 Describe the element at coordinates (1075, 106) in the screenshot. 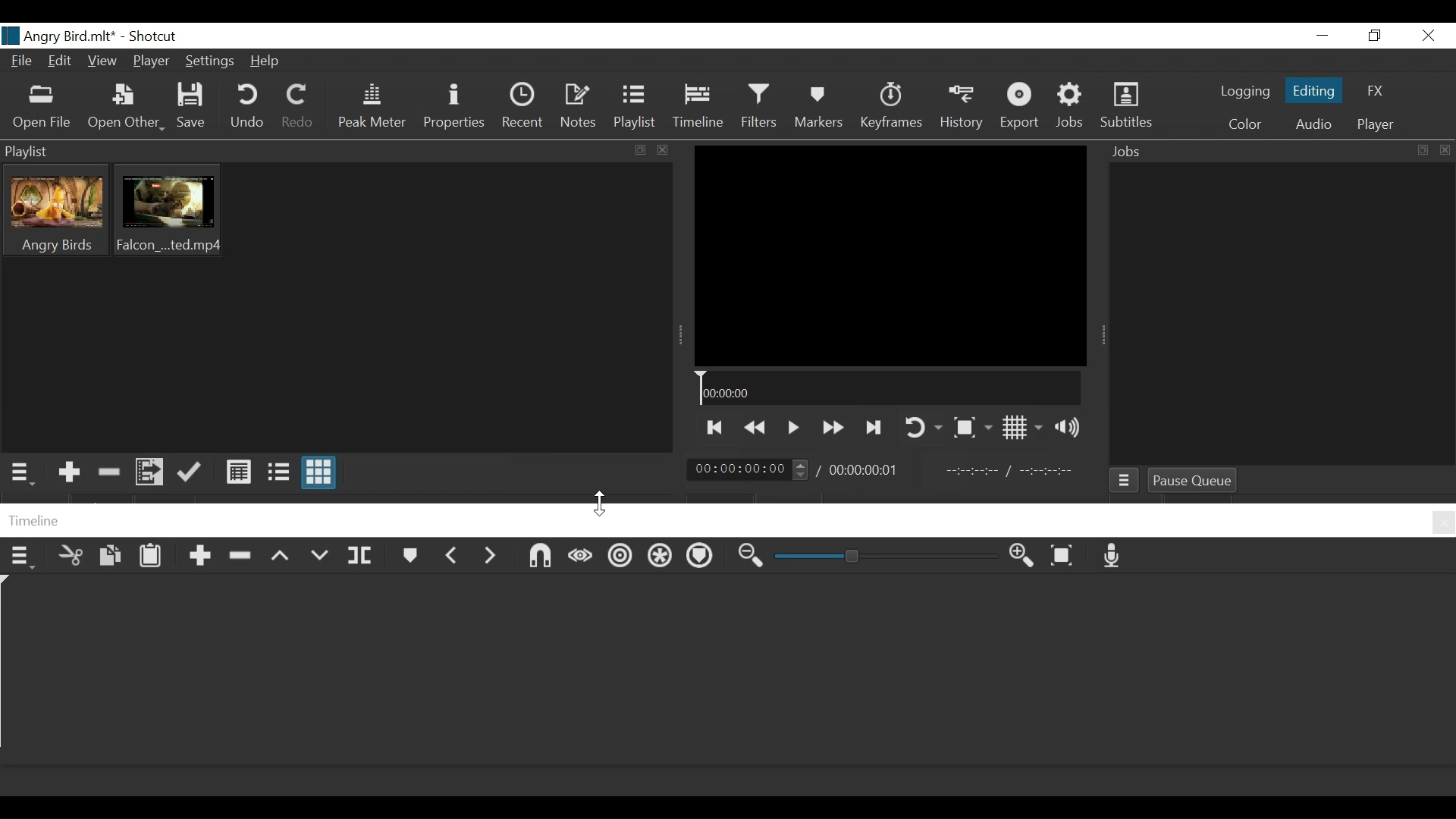

I see `Jobs` at that location.